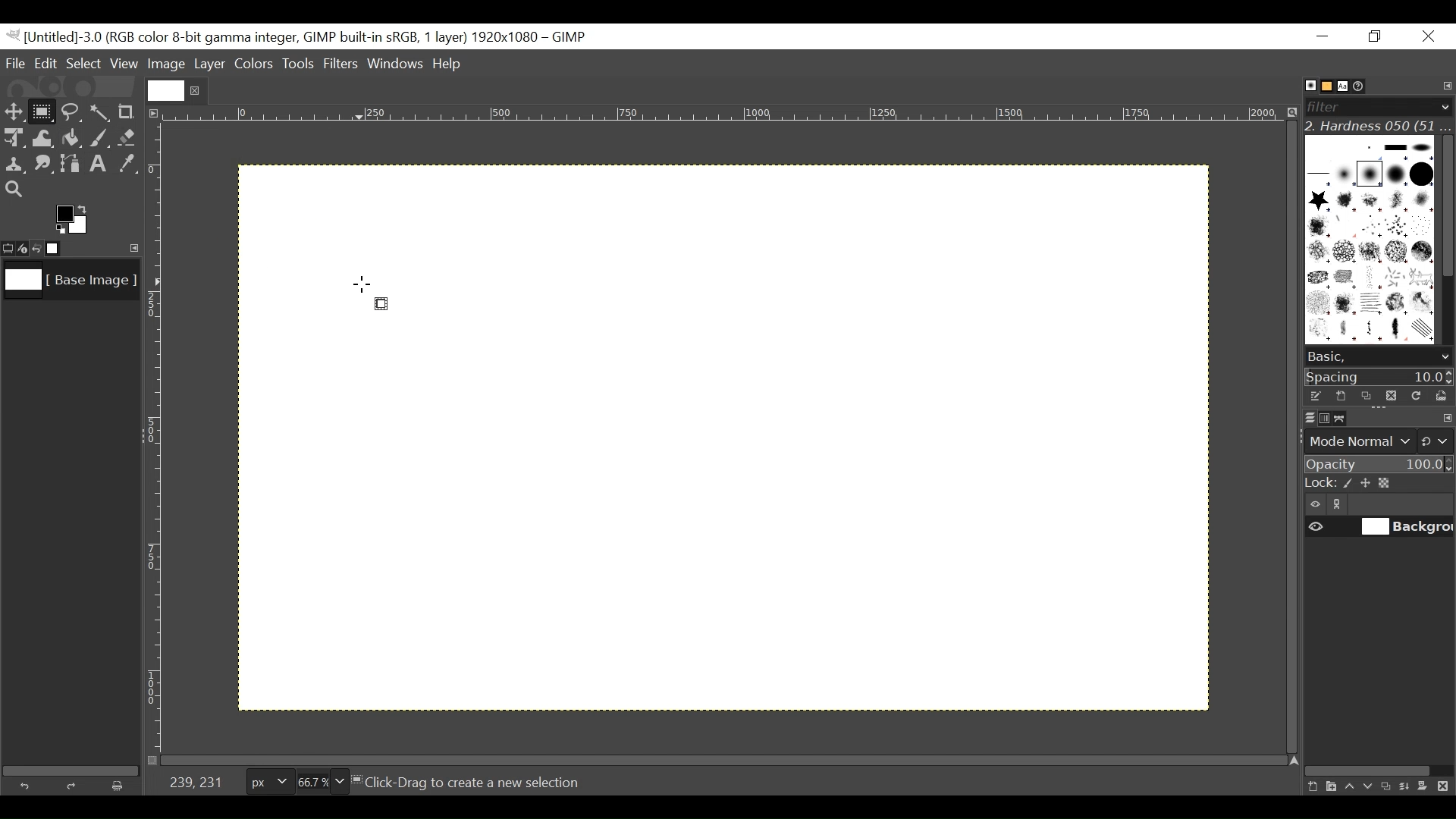 The width and height of the screenshot is (1456, 819). I want to click on Paths, so click(1344, 419).